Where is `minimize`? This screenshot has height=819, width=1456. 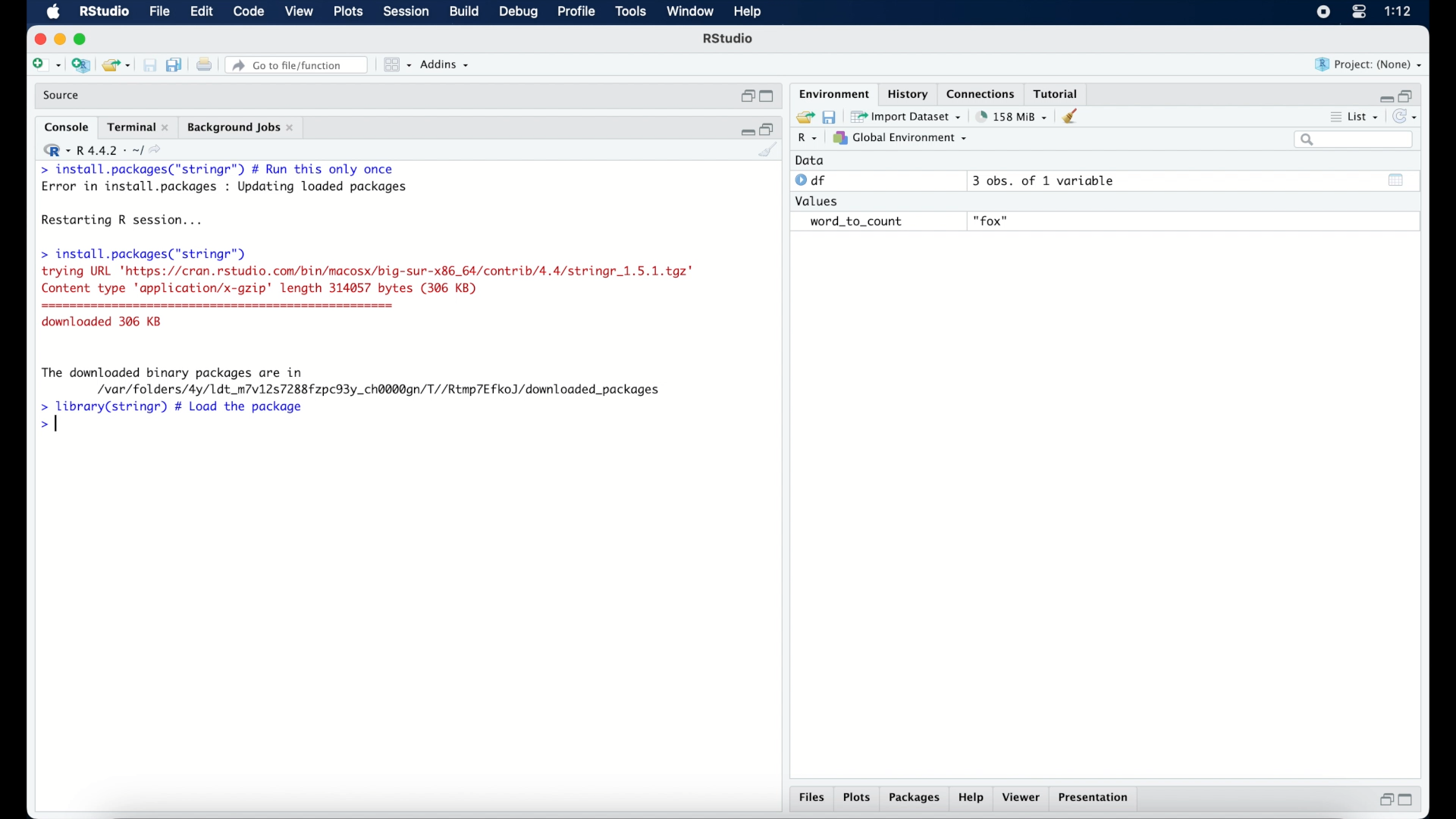
minimize is located at coordinates (1384, 98).